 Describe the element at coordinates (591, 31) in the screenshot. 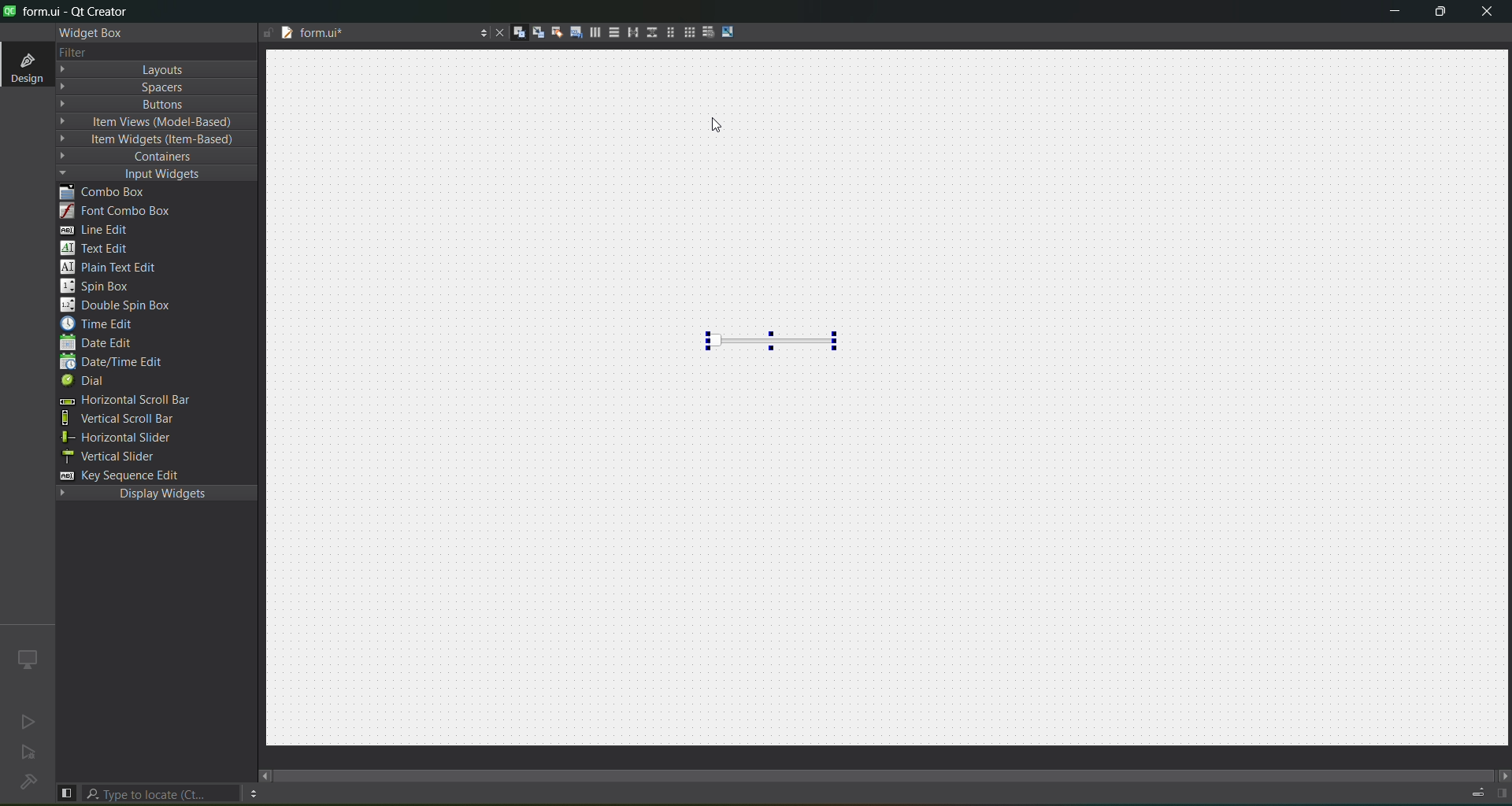

I see `horizontal layout` at that location.